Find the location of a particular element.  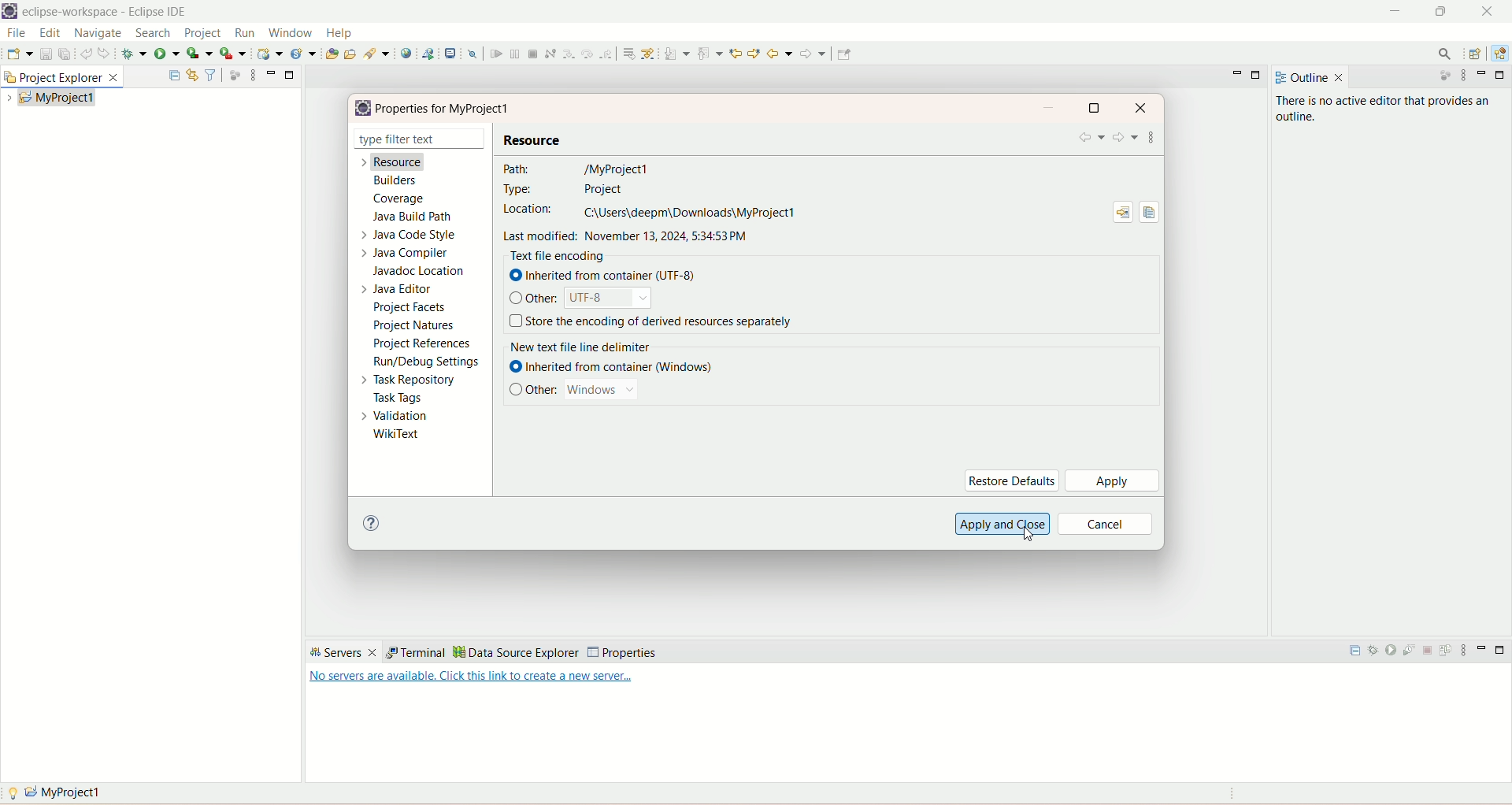

stop the server is located at coordinates (1430, 652).